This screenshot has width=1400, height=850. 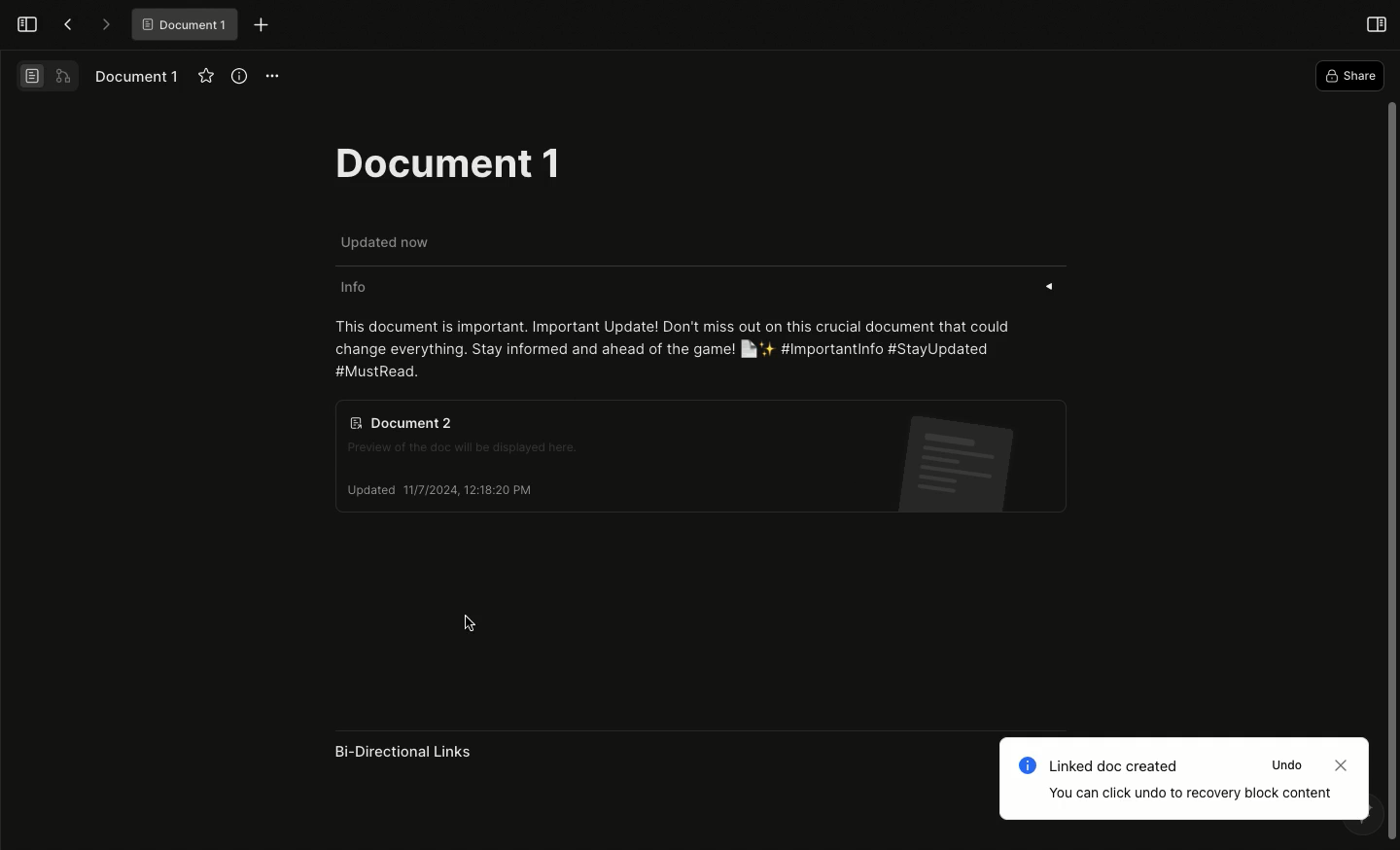 I want to click on You can click undo to recovery block content, so click(x=1199, y=796).